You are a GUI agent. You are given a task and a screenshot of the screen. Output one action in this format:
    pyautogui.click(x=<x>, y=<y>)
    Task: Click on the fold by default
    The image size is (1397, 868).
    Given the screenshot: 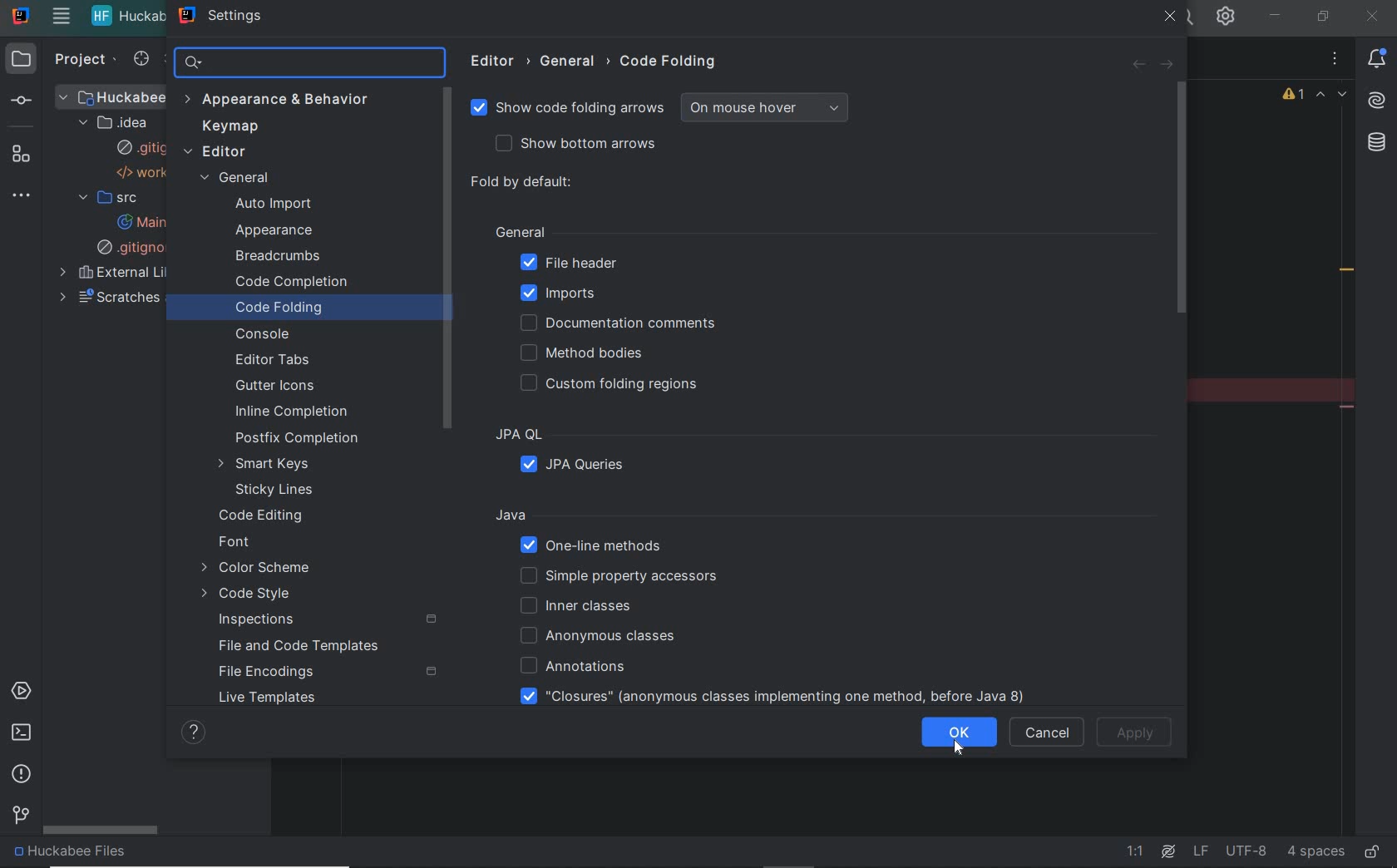 What is the action you would take?
    pyautogui.click(x=524, y=182)
    